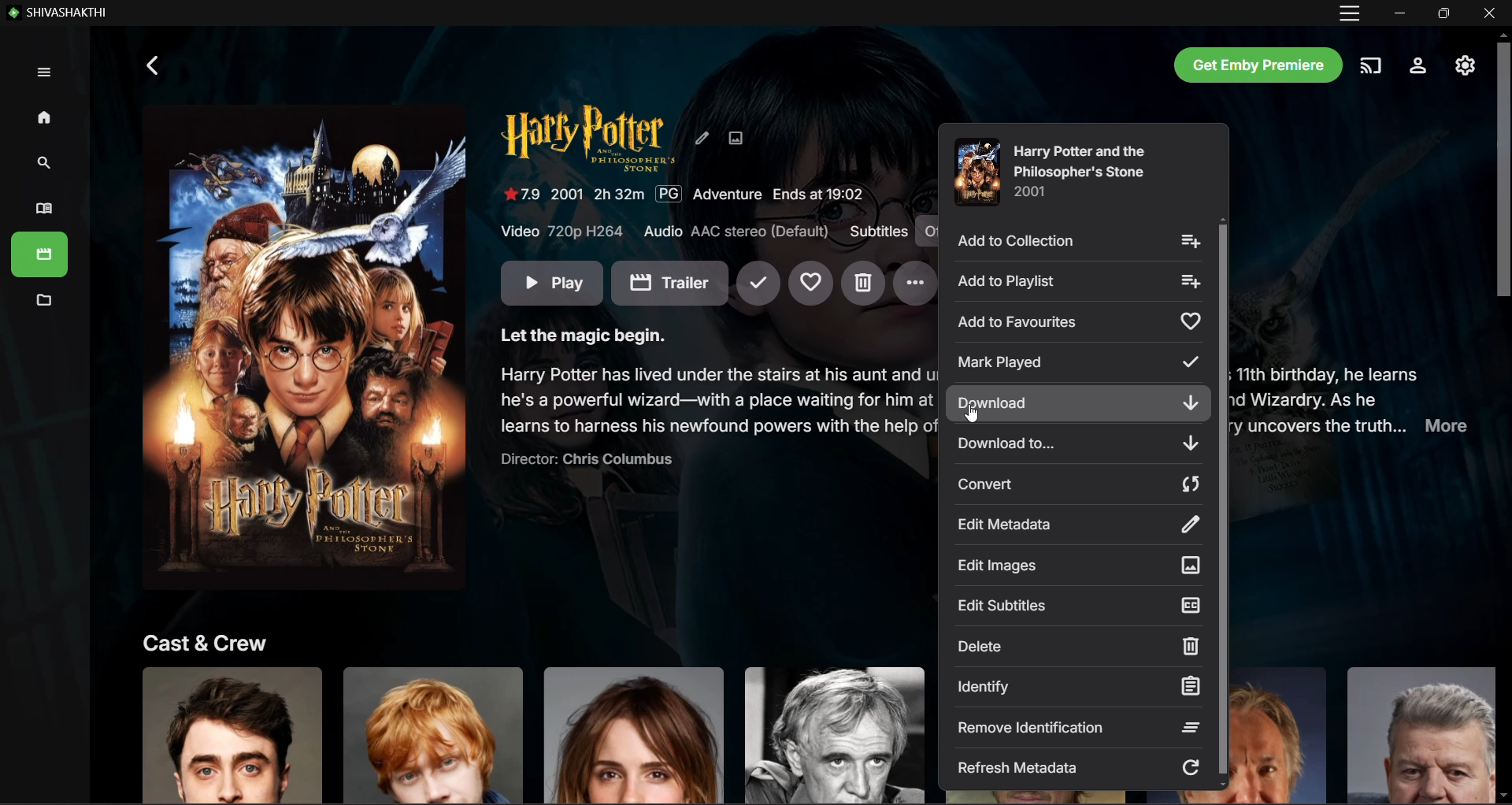 The image size is (1512, 805). What do you see at coordinates (1079, 525) in the screenshot?
I see `Edit Metadata` at bounding box center [1079, 525].